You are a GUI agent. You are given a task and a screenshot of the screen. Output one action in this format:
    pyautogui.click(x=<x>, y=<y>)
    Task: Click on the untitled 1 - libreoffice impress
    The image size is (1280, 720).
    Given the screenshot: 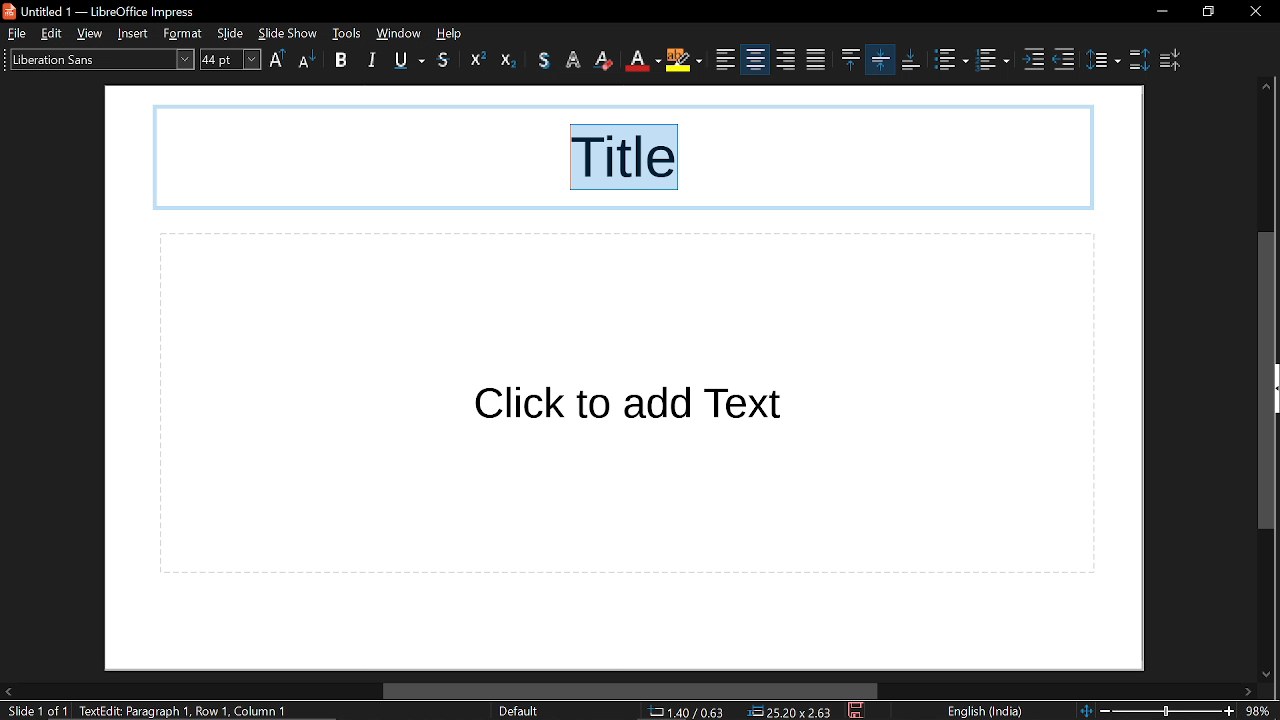 What is the action you would take?
    pyautogui.click(x=103, y=10)
    